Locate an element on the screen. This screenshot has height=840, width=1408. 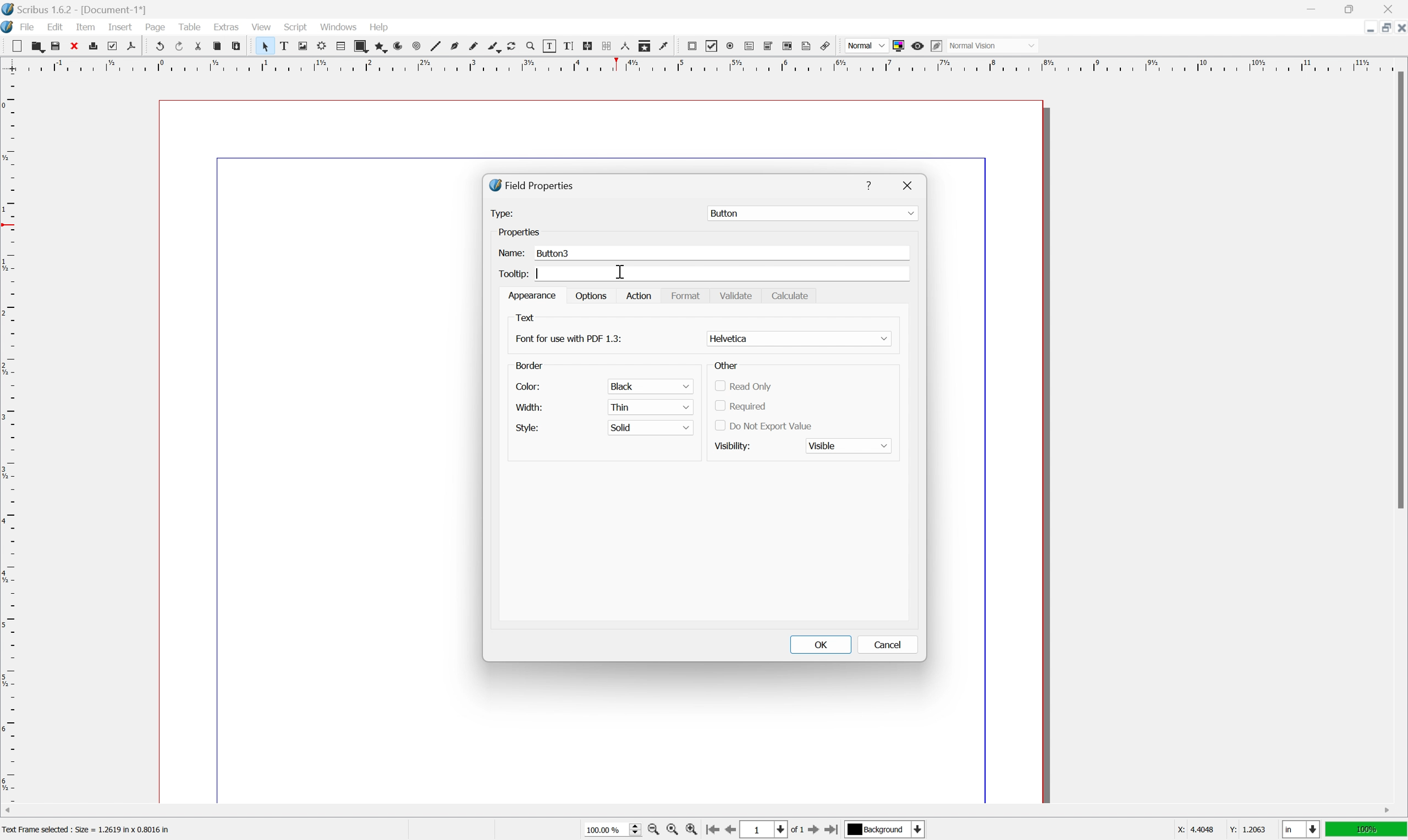
cursor is located at coordinates (620, 271).